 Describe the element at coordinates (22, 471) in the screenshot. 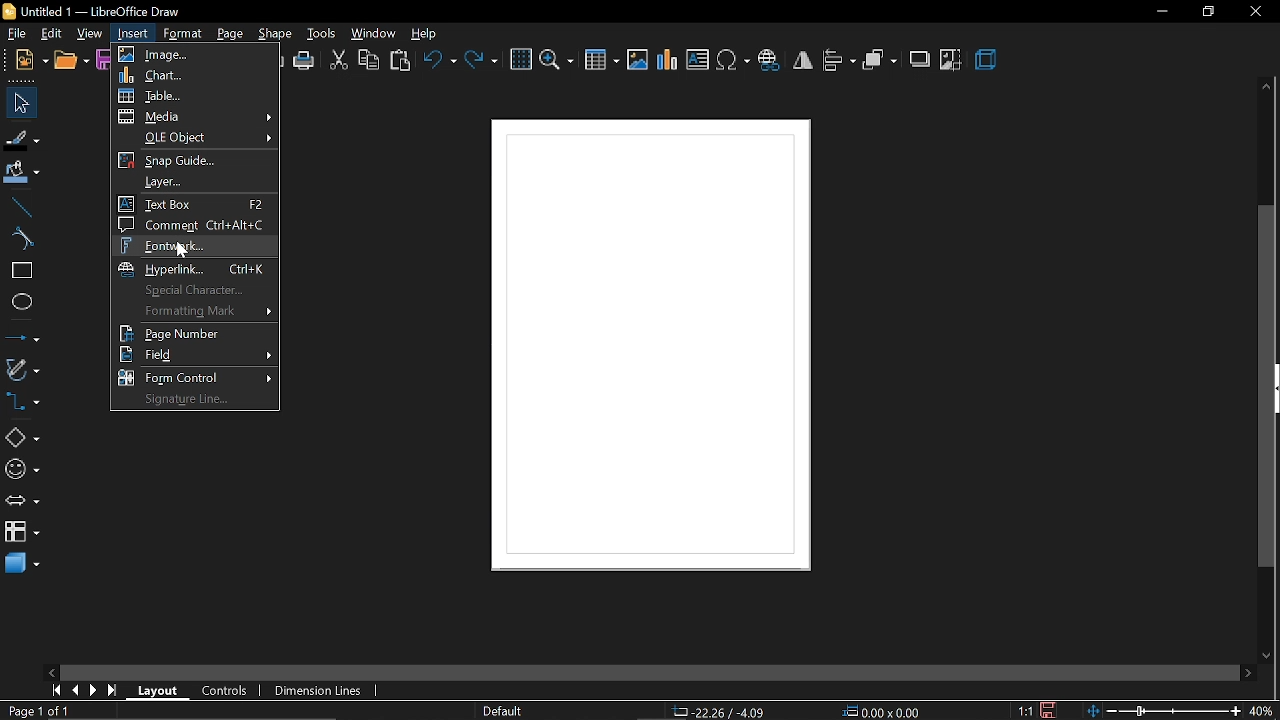

I see `symbol shapes` at that location.